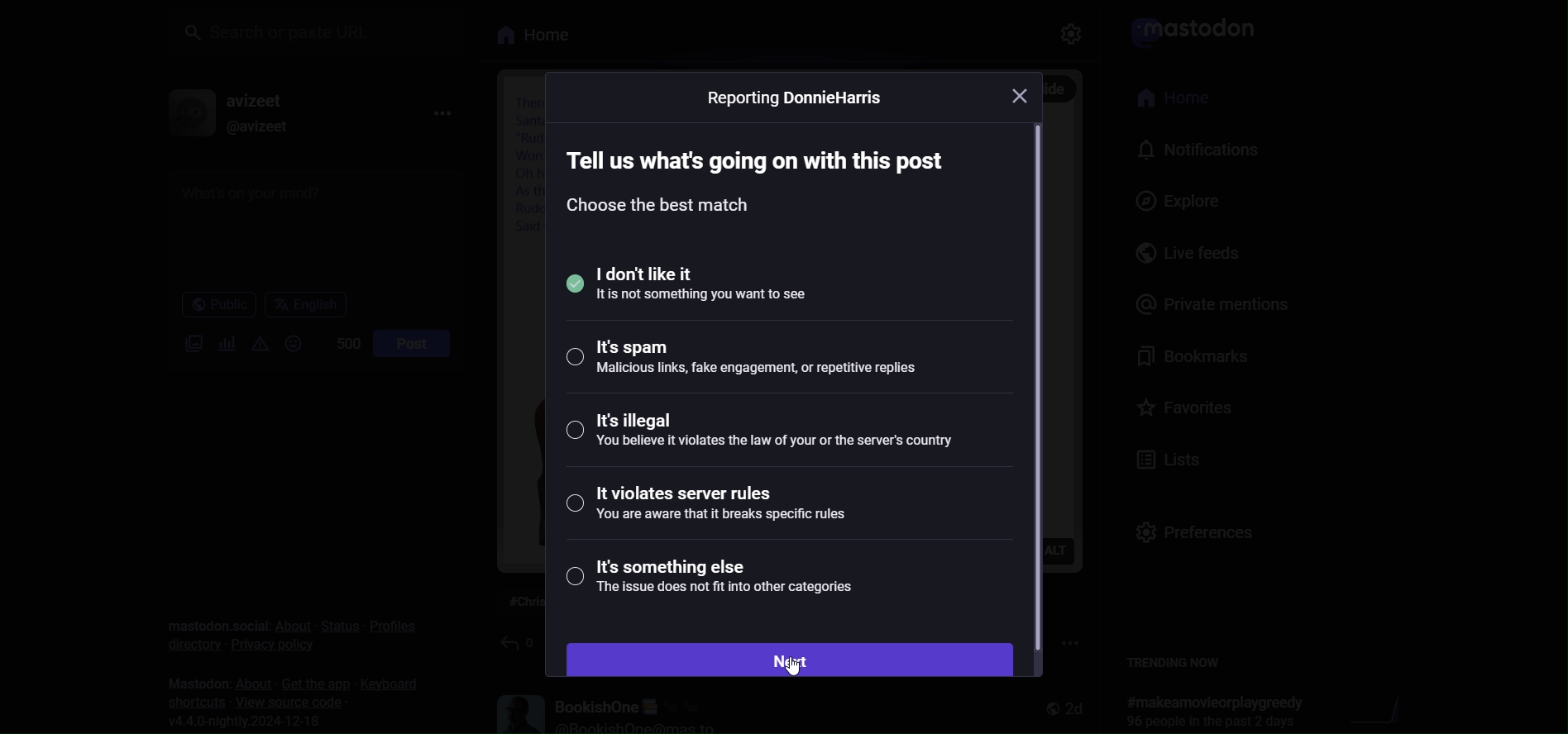 The width and height of the screenshot is (1568, 734). I want to click on home, so click(1167, 98).